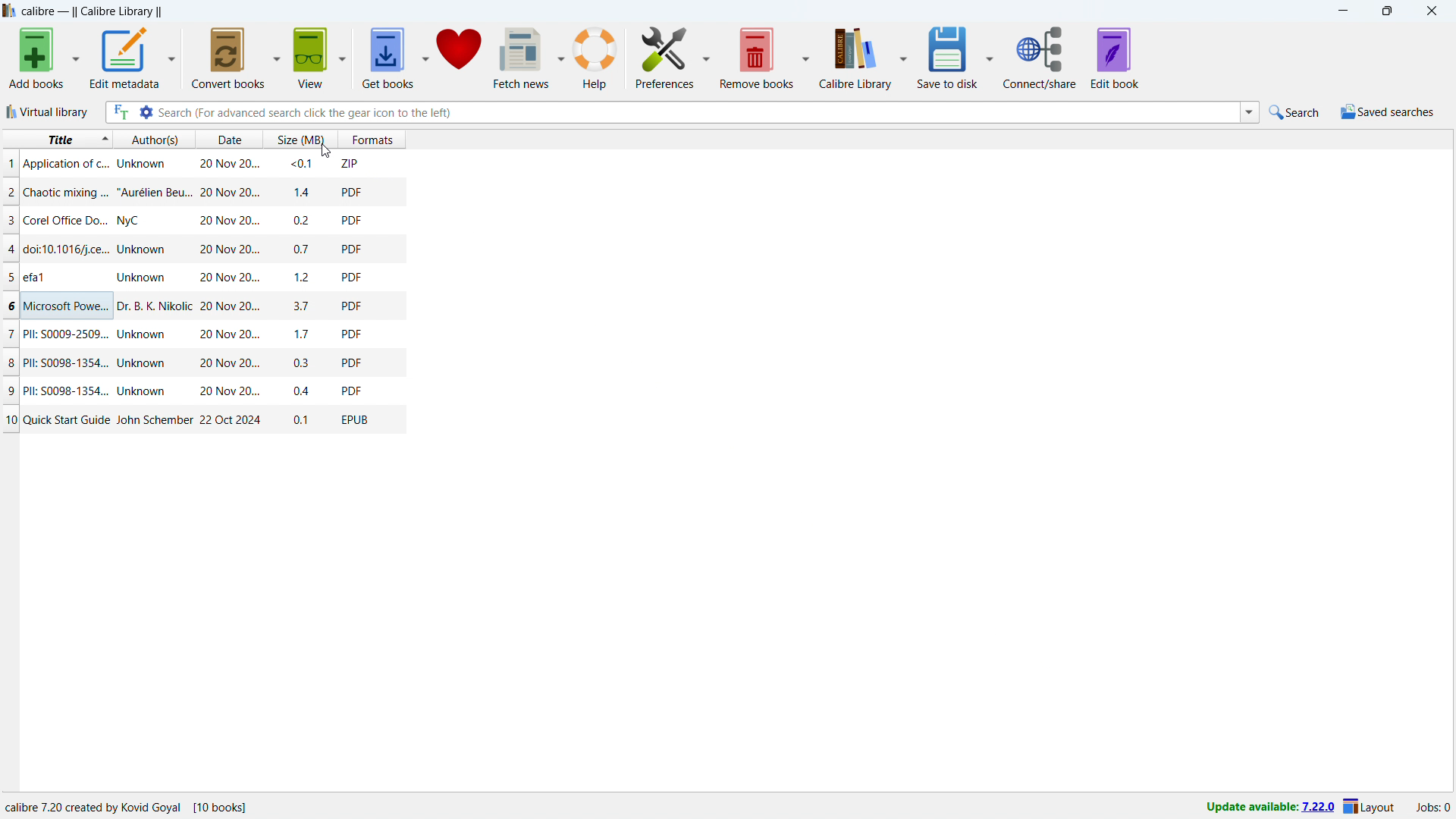  I want to click on 7, so click(9, 334).